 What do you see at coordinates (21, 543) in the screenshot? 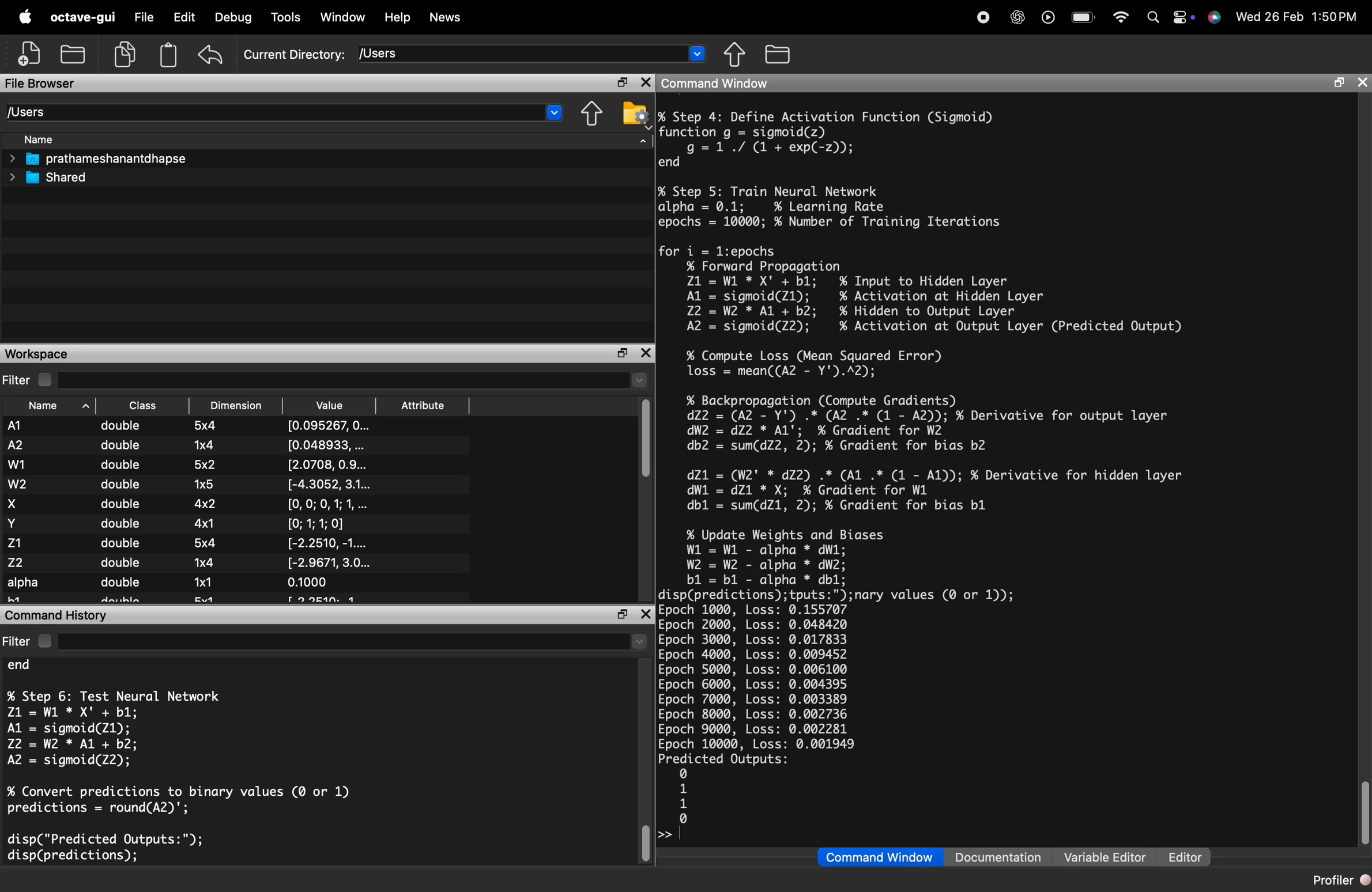
I see `Z1` at bounding box center [21, 543].